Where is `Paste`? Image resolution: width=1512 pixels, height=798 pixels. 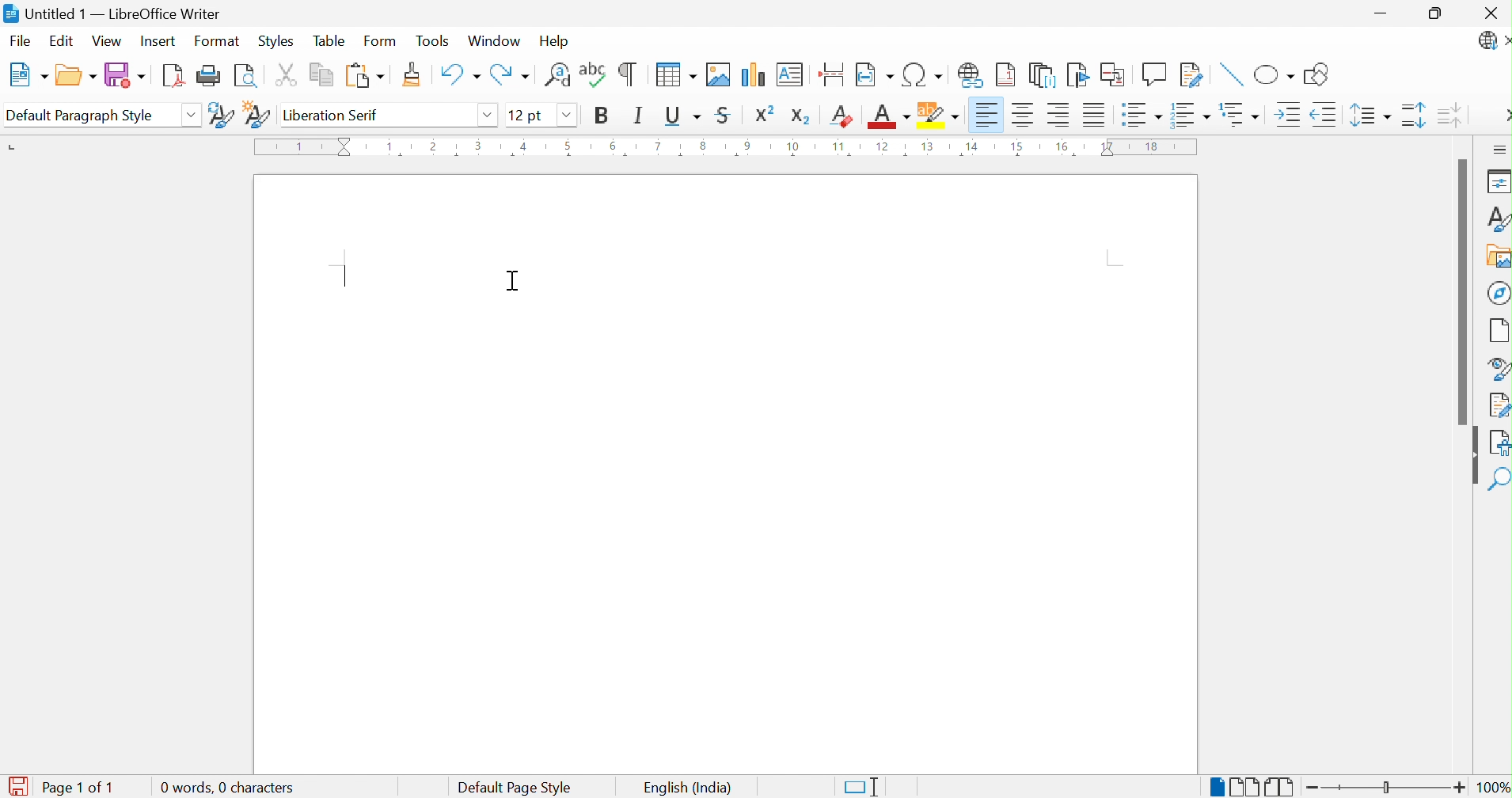
Paste is located at coordinates (365, 76).